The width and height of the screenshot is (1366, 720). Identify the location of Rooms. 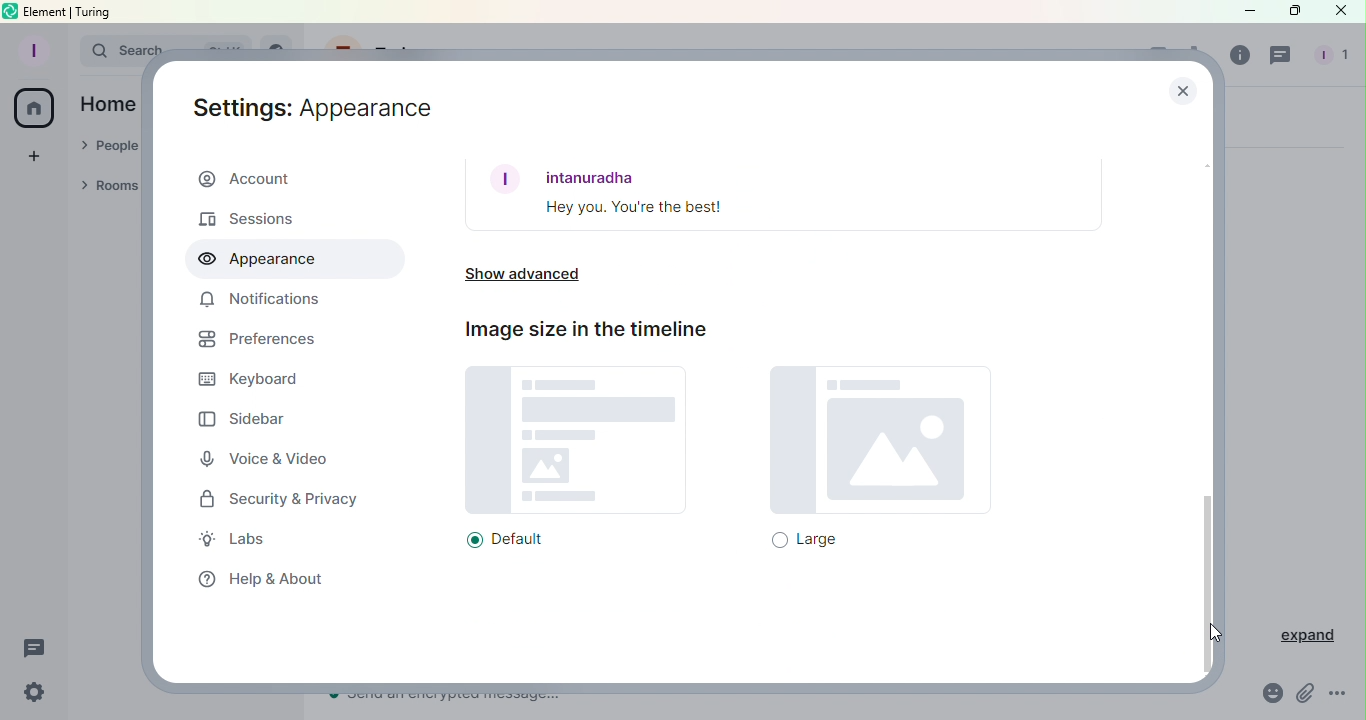
(112, 188).